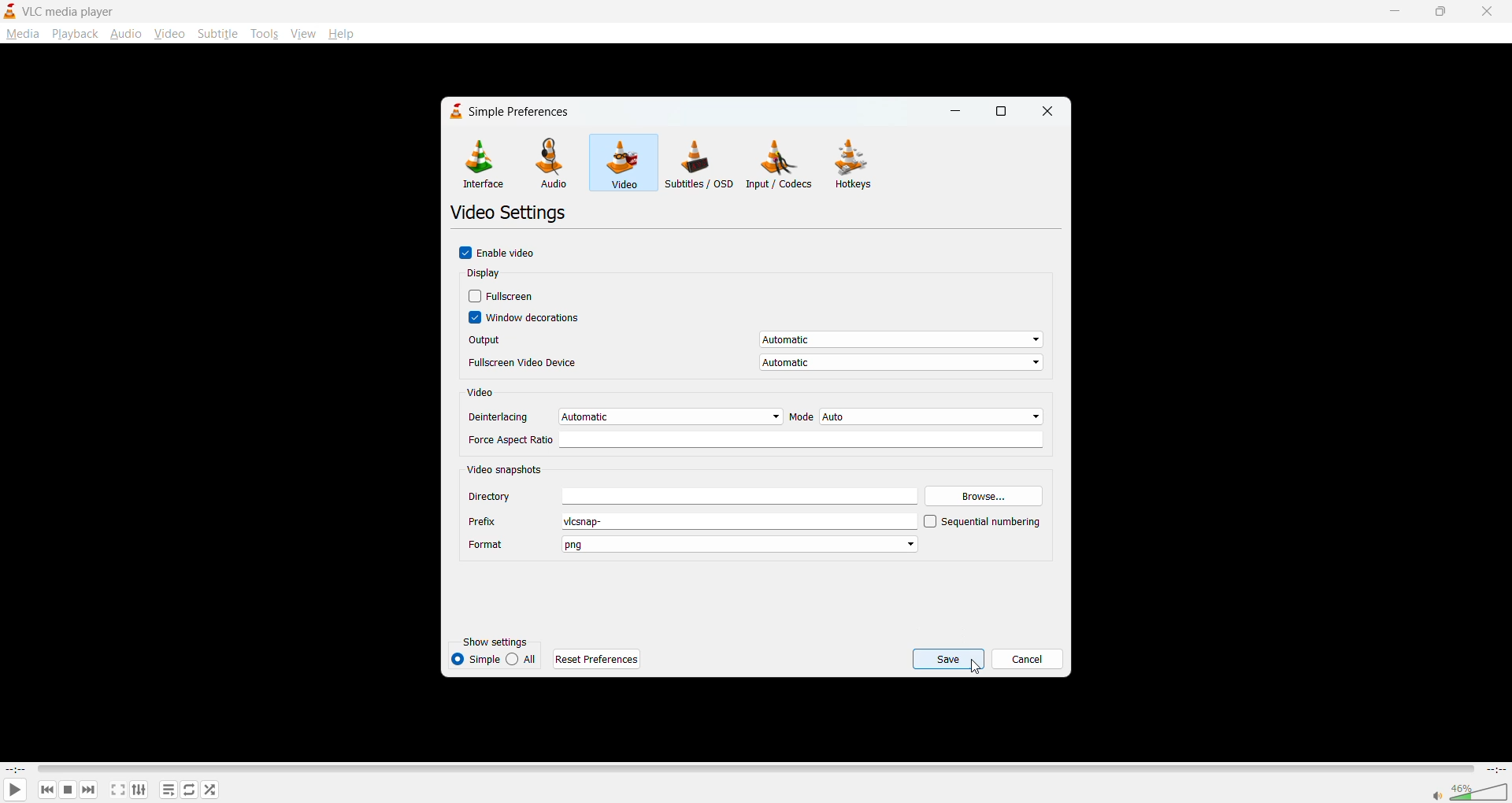  Describe the element at coordinates (507, 111) in the screenshot. I see `simple preferences` at that location.